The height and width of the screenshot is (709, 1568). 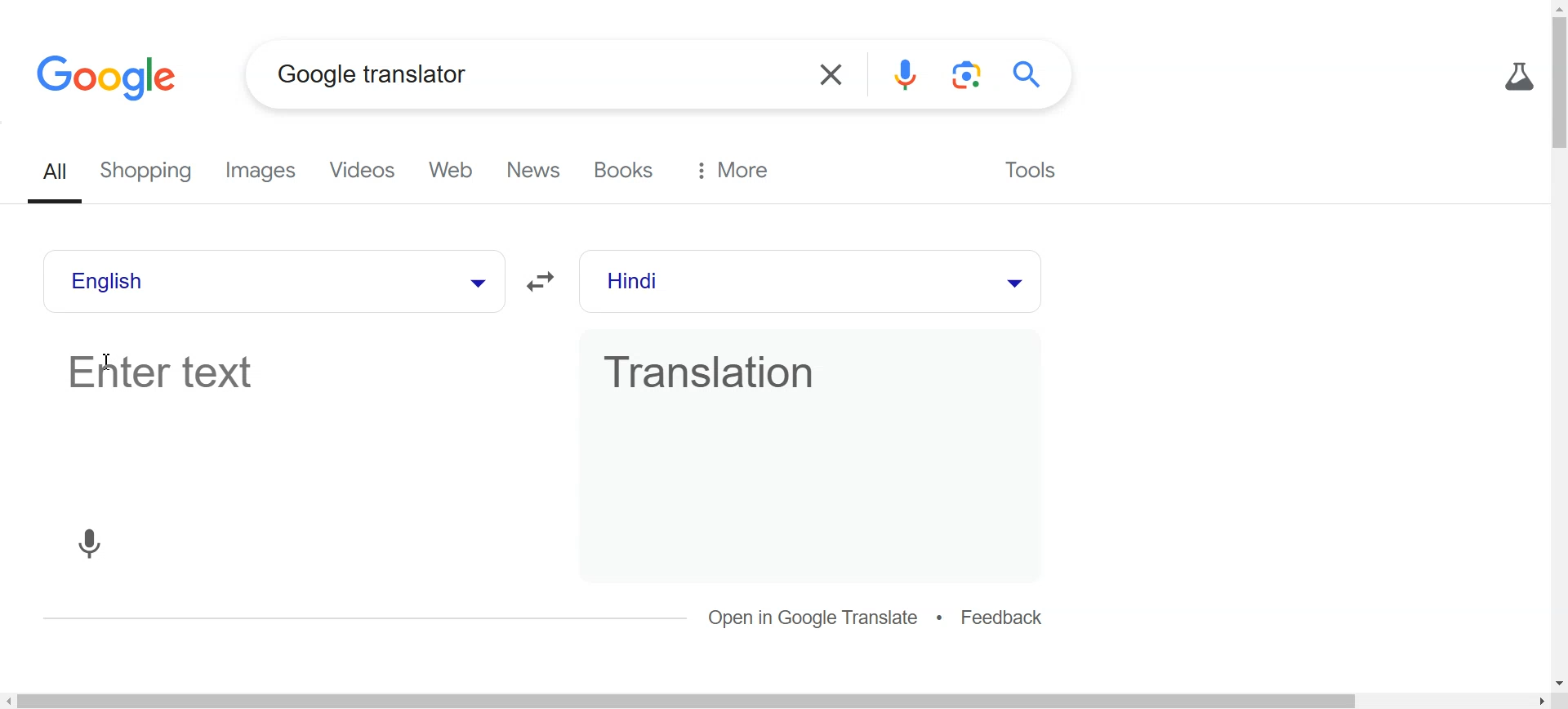 What do you see at coordinates (627, 170) in the screenshot?
I see `Books` at bounding box center [627, 170].